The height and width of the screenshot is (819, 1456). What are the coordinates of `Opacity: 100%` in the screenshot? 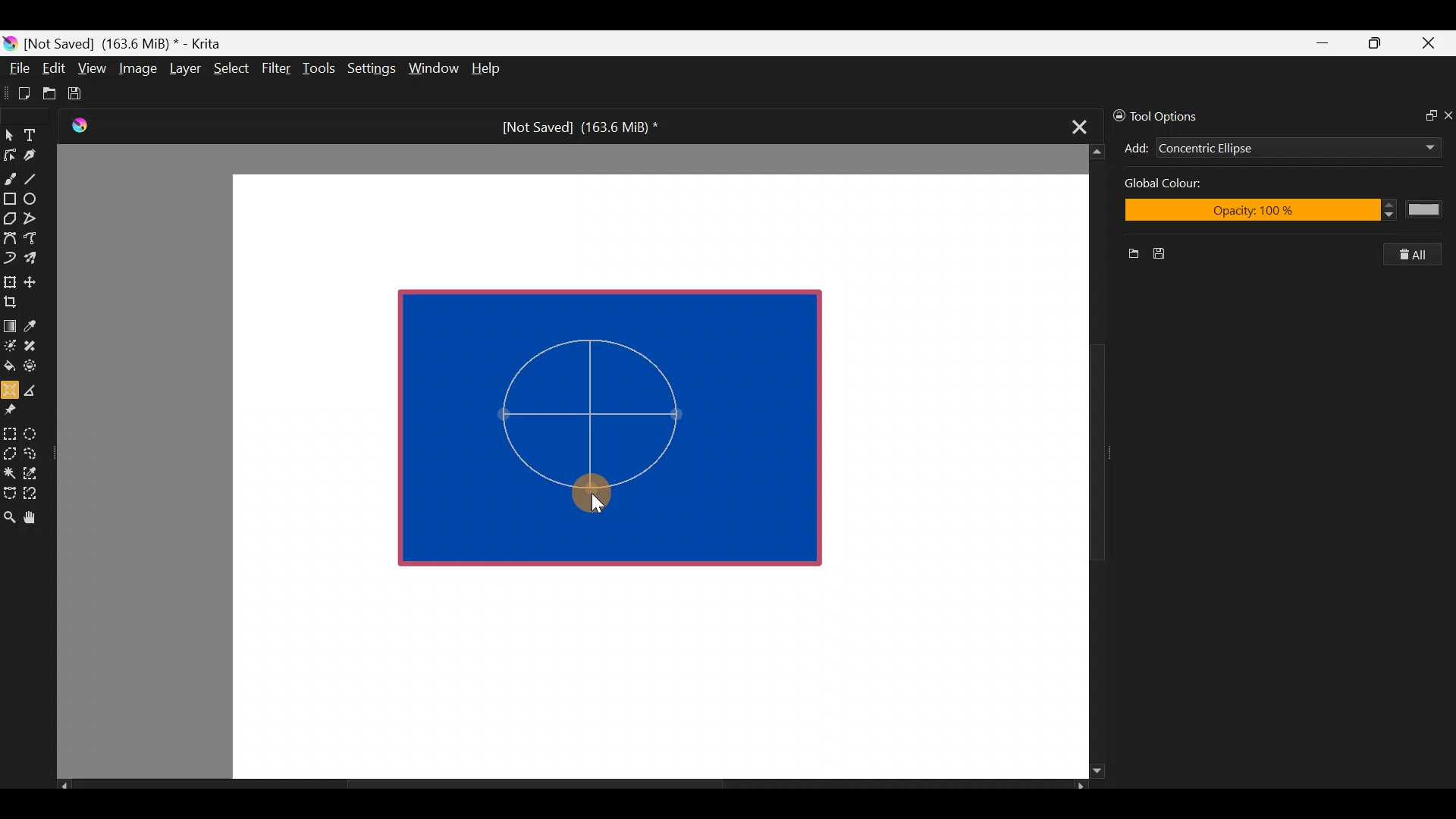 It's located at (1279, 212).